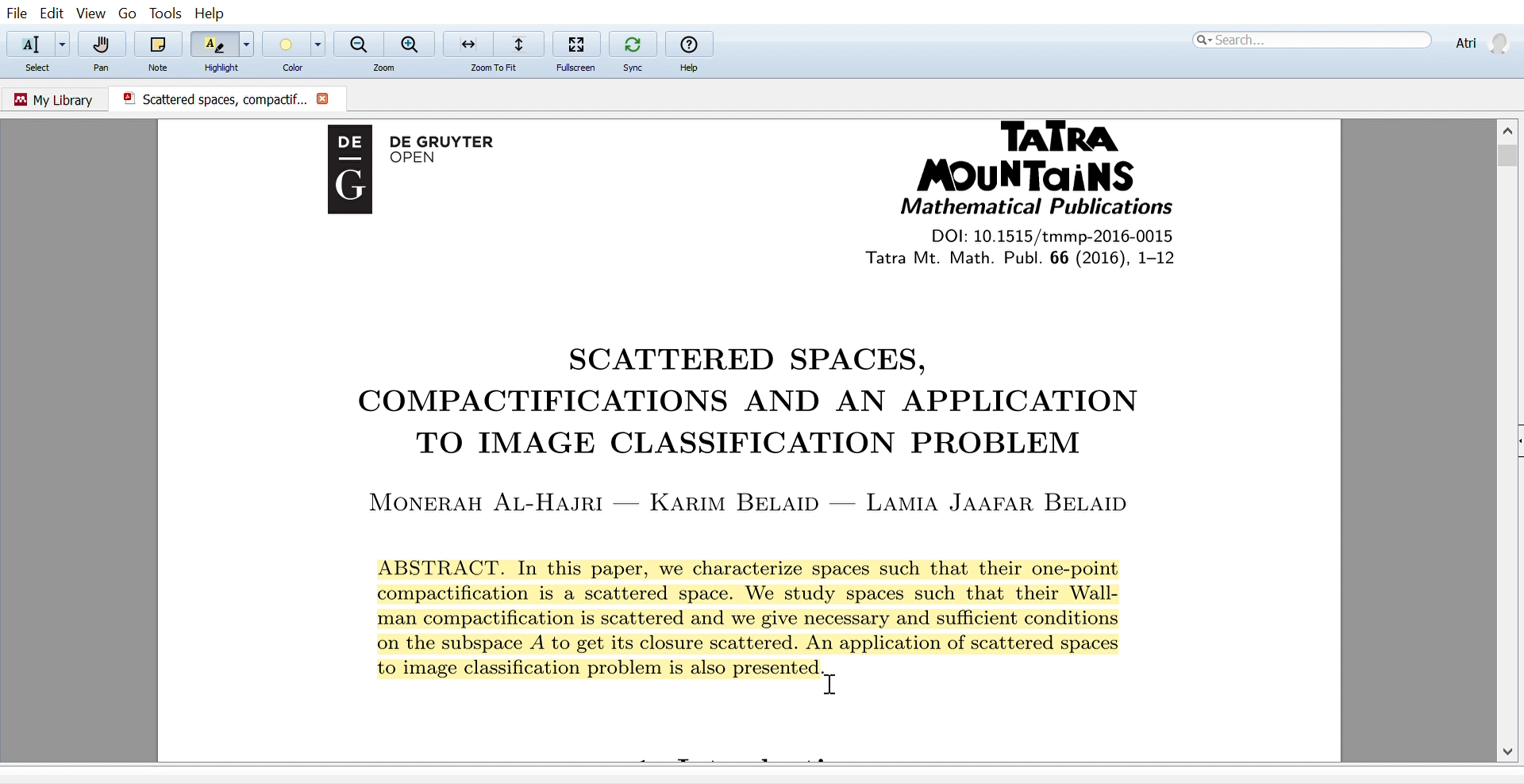 The width and height of the screenshot is (1524, 784). I want to click on Move down, so click(1510, 751).